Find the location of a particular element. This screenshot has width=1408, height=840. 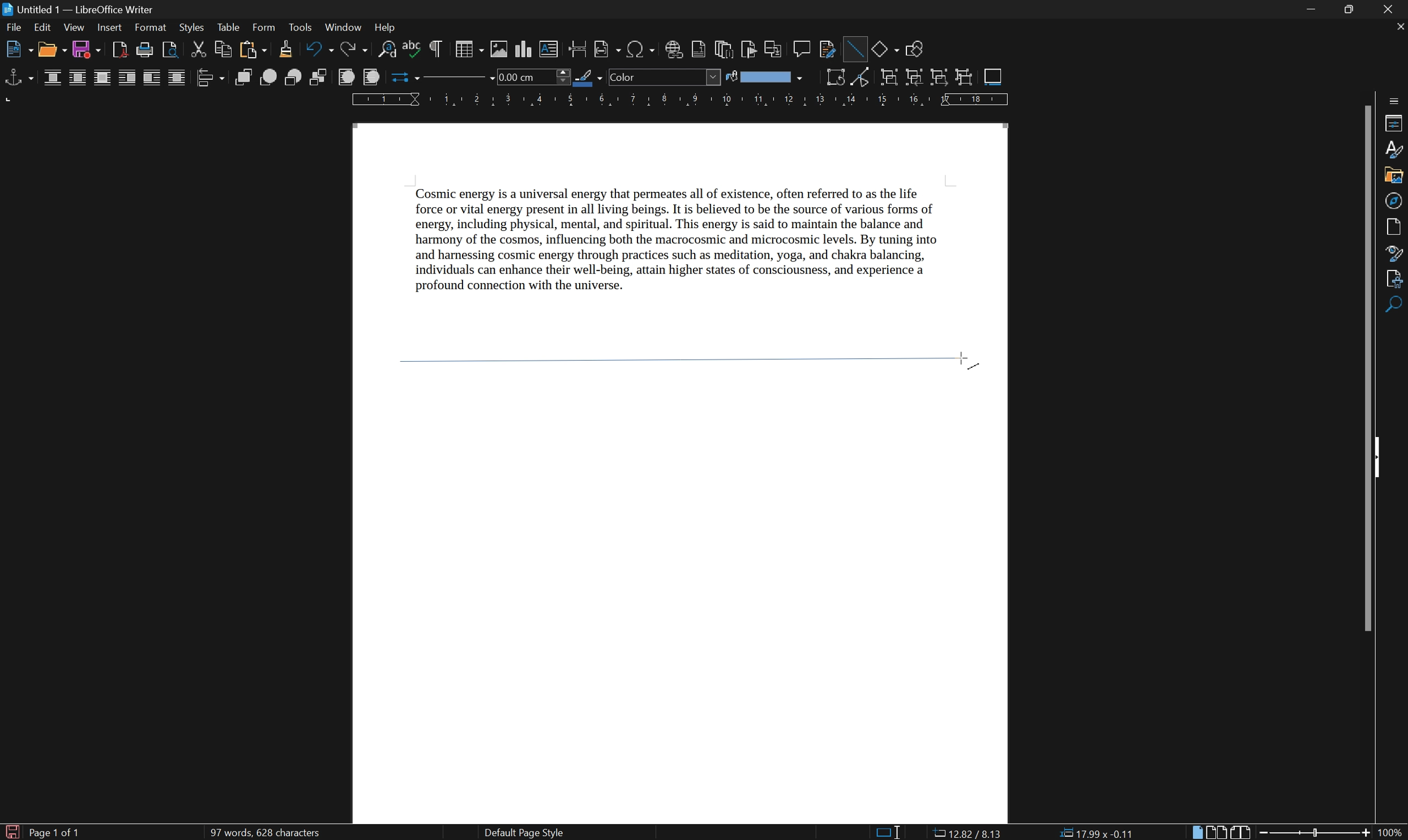

help is located at coordinates (388, 28).